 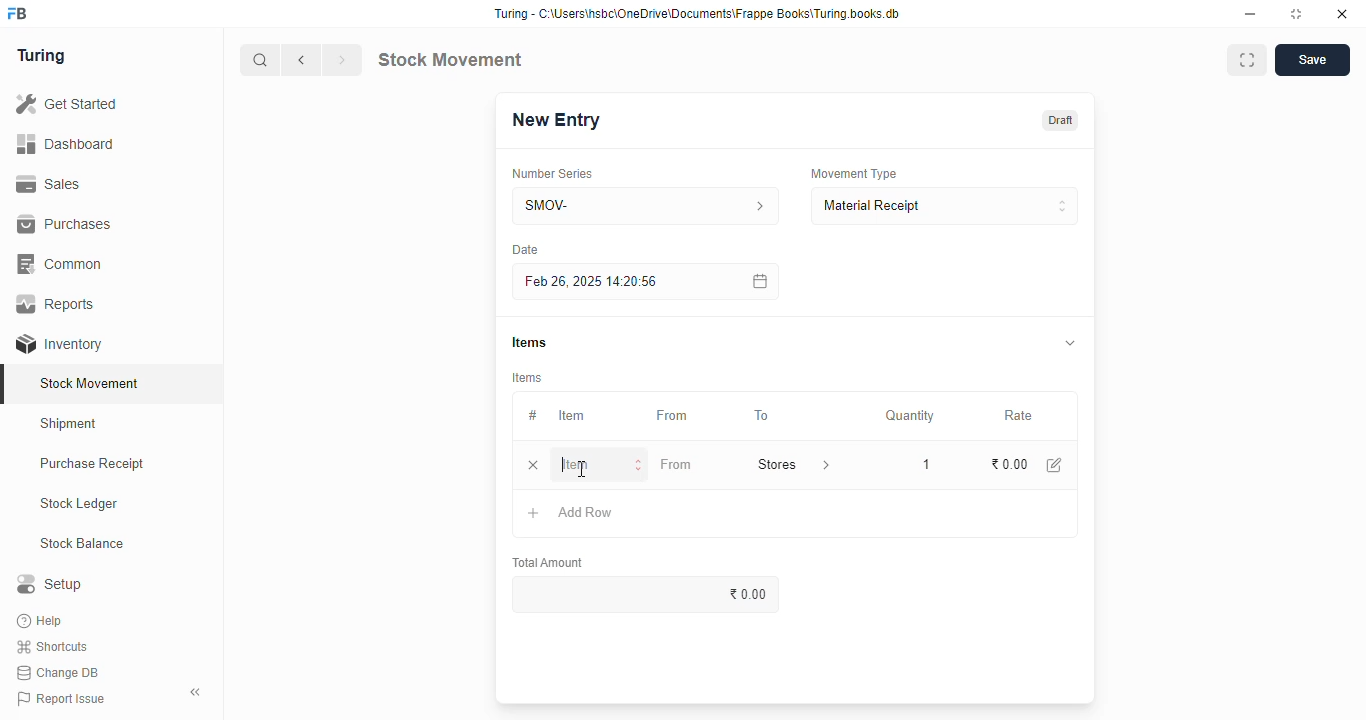 What do you see at coordinates (83, 544) in the screenshot?
I see `stock balance` at bounding box center [83, 544].